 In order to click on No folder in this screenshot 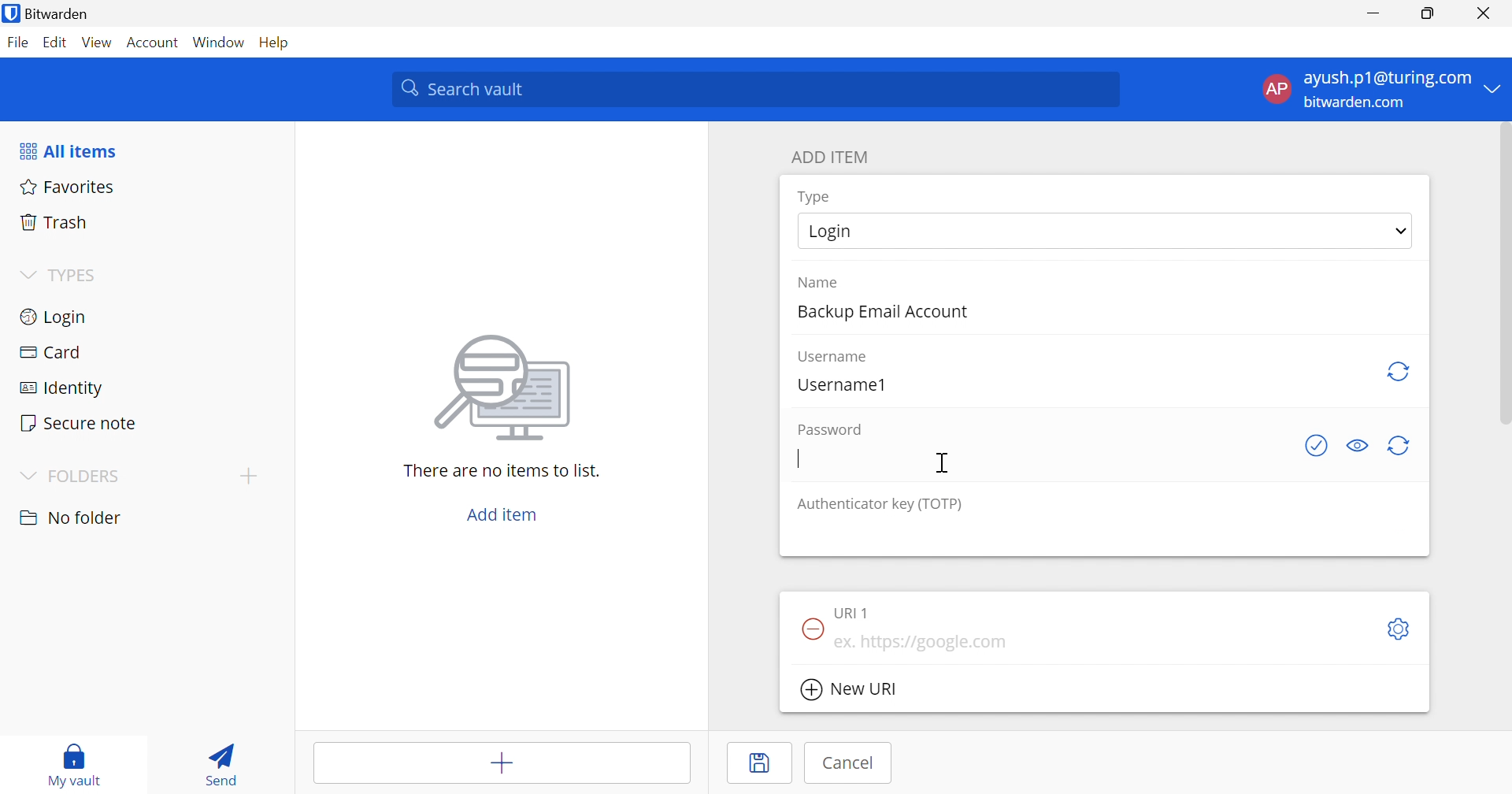, I will do `click(72, 519)`.